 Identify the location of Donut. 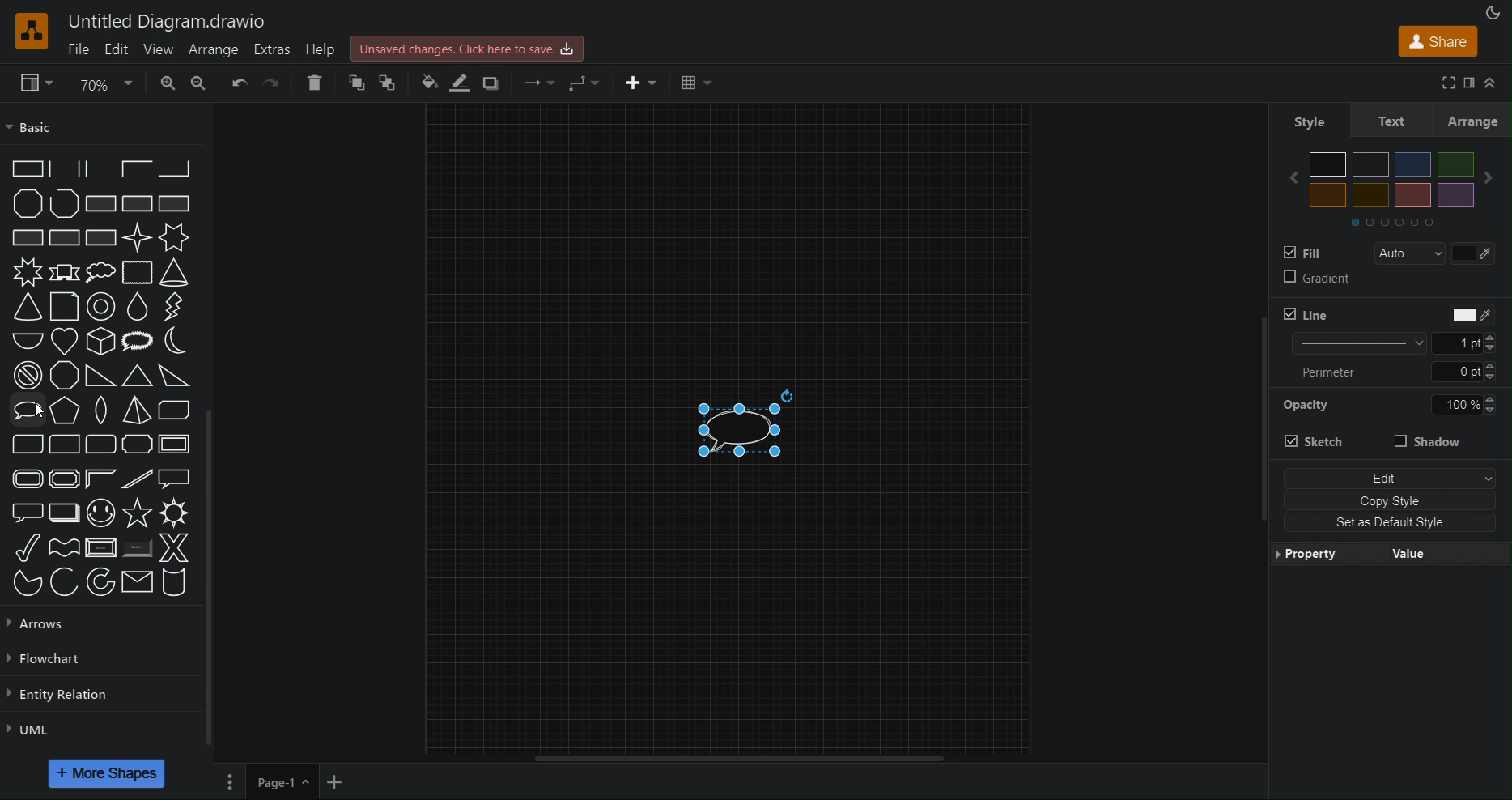
(100, 306).